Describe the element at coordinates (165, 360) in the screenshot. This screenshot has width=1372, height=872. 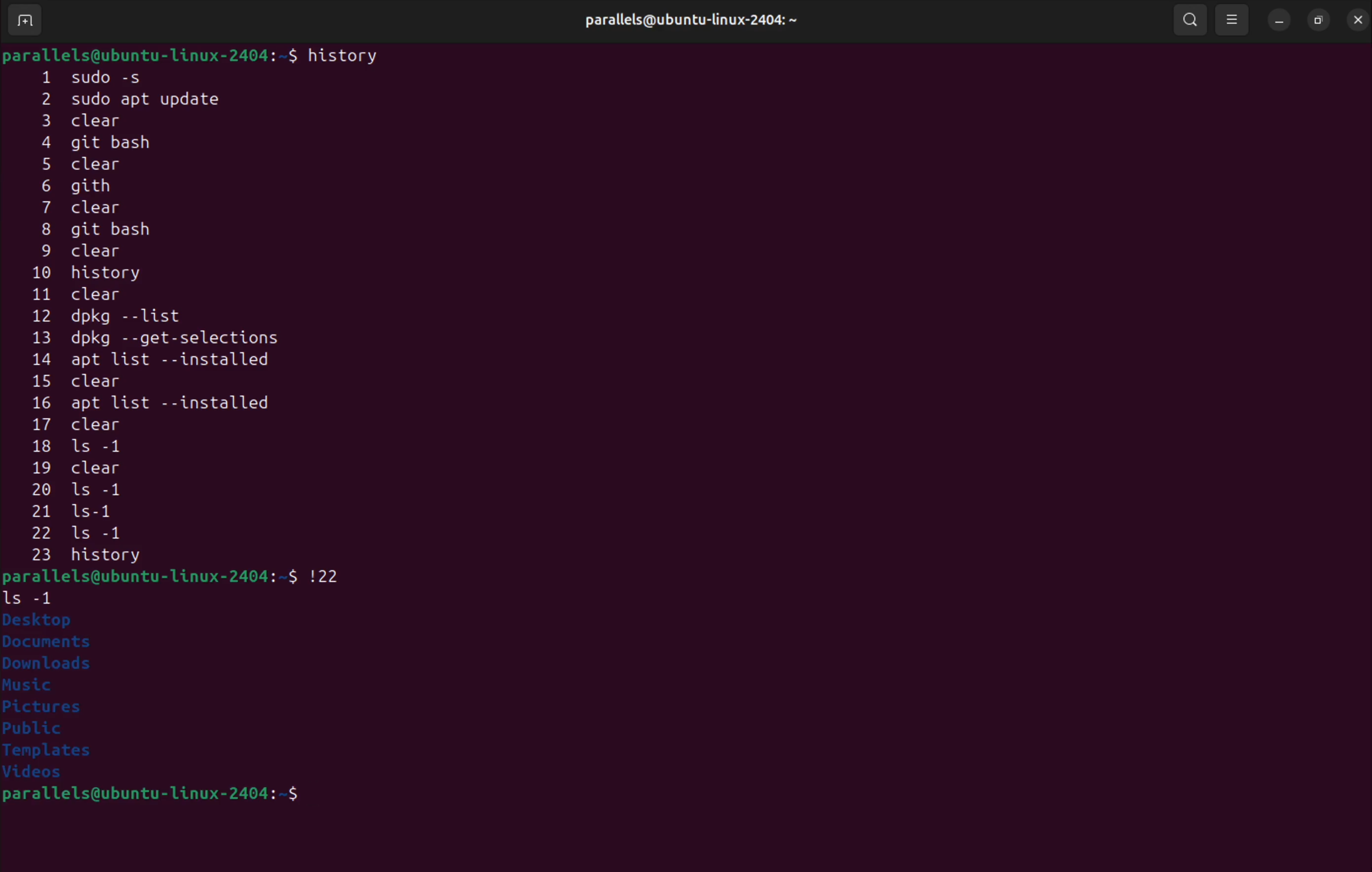
I see `14 apt list installed` at that location.